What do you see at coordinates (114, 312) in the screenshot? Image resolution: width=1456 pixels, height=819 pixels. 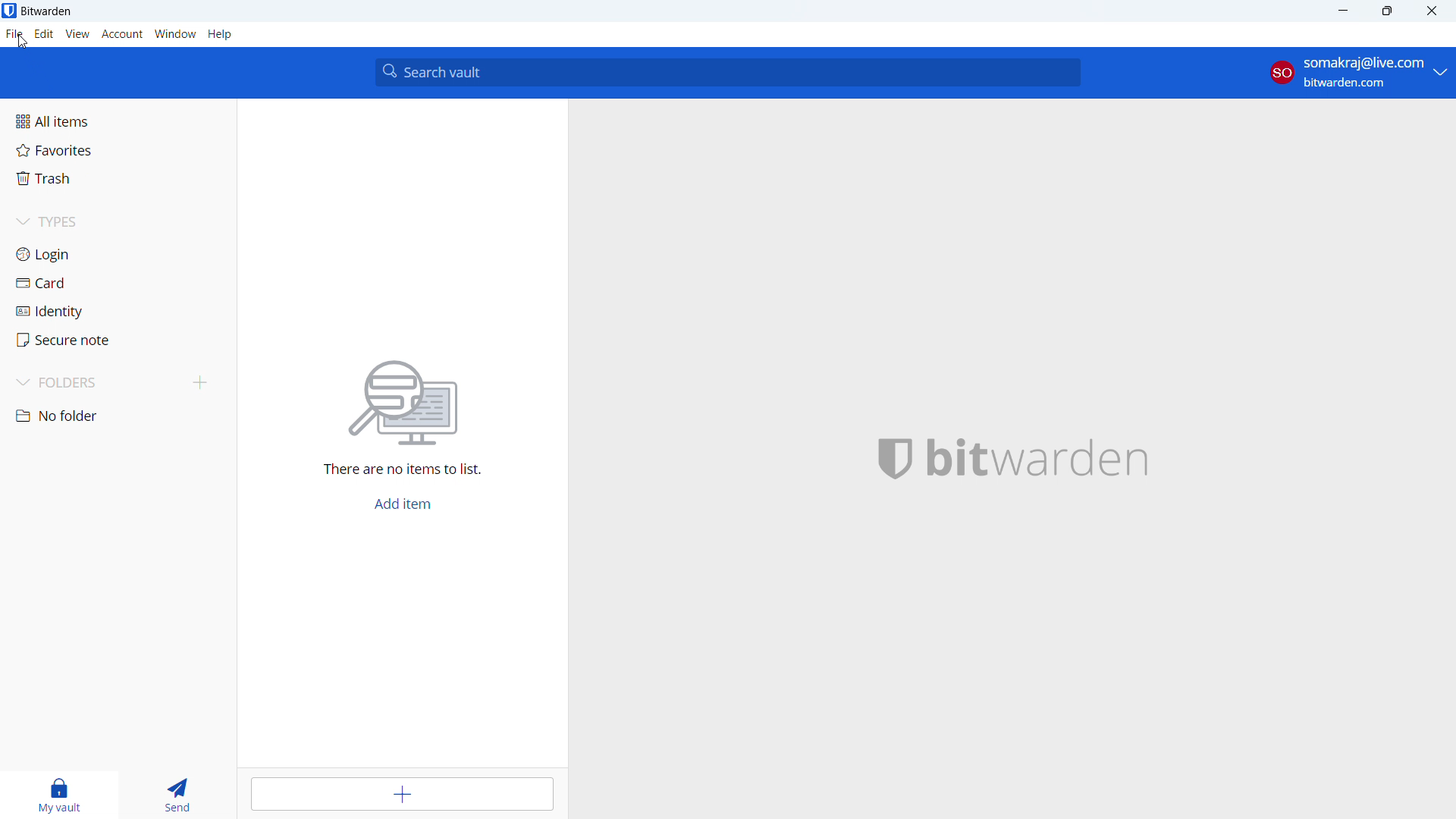 I see `identity` at bounding box center [114, 312].